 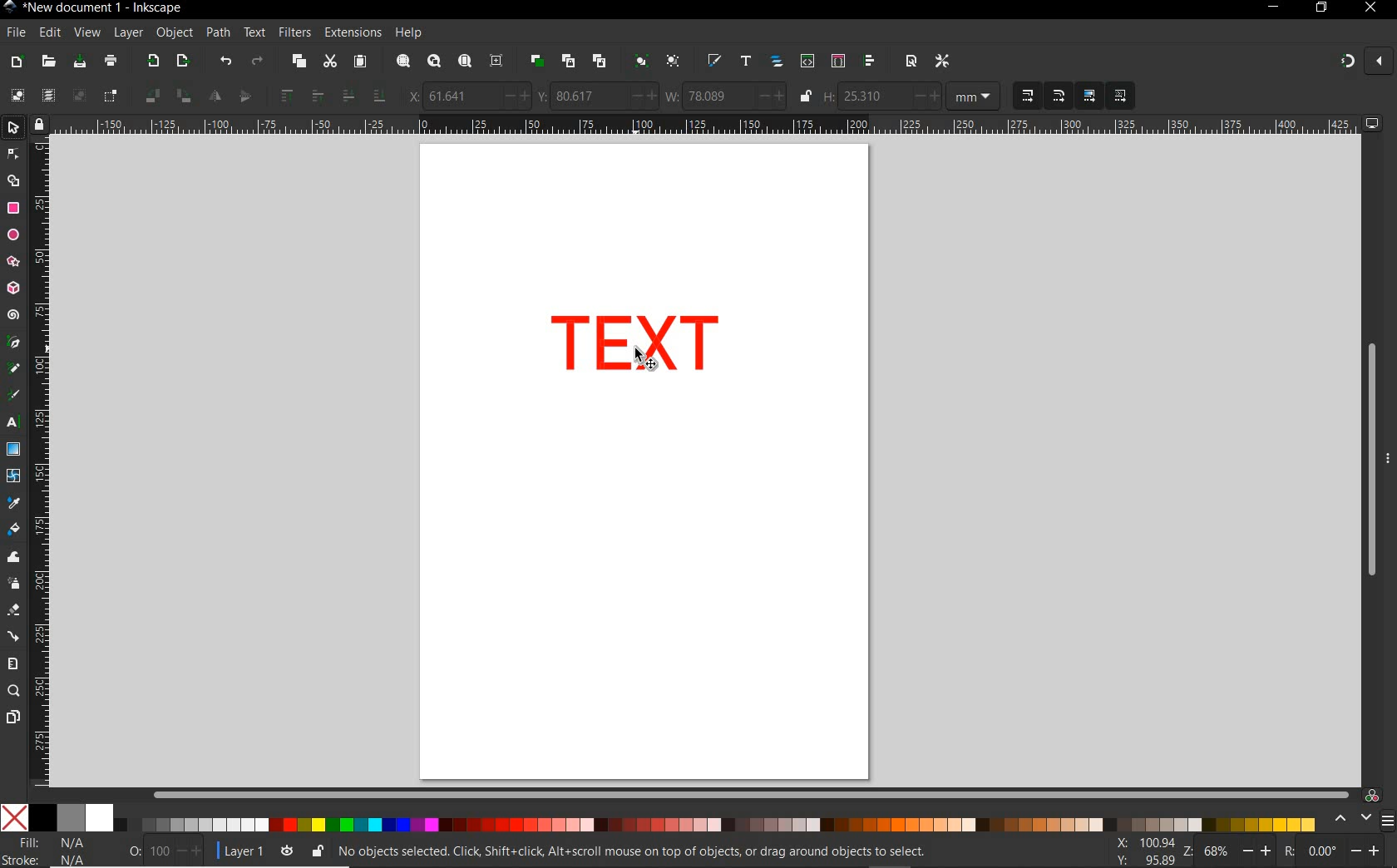 What do you see at coordinates (228, 96) in the screenshot?
I see `object flip` at bounding box center [228, 96].